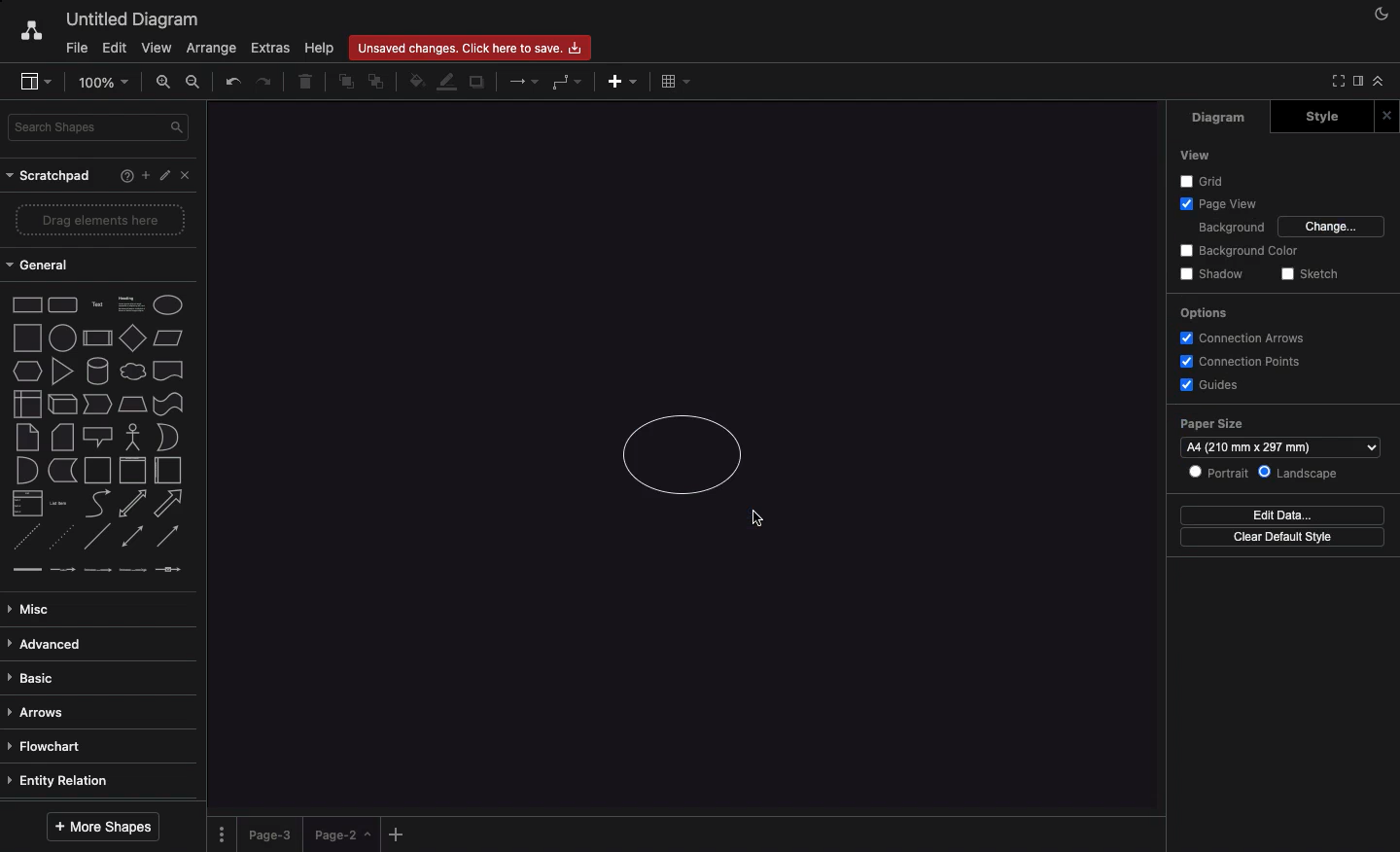 The image size is (1400, 852). I want to click on More shapes, so click(106, 826).